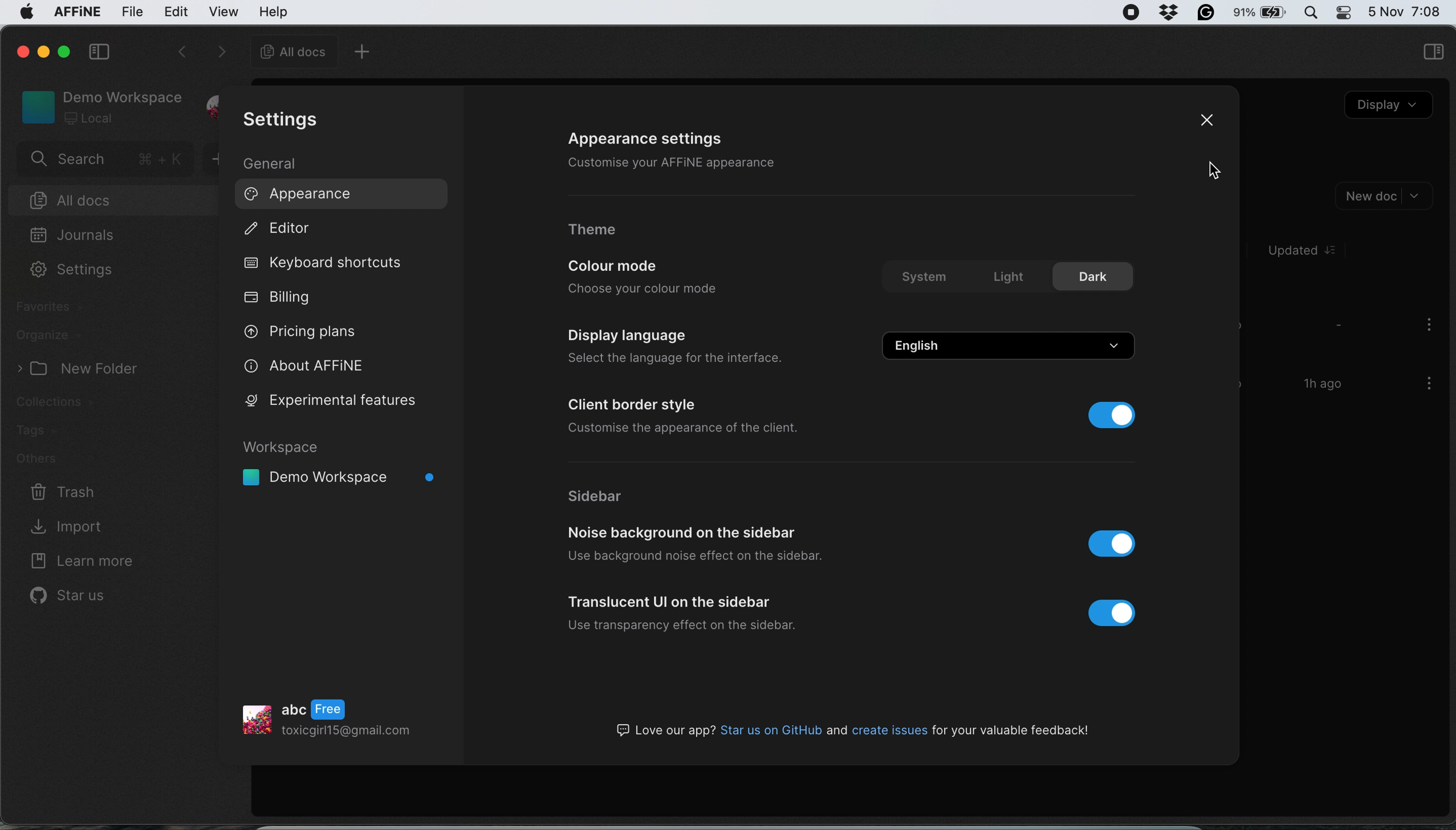 The image size is (1456, 830). What do you see at coordinates (174, 50) in the screenshot?
I see `switch tabs` at bounding box center [174, 50].